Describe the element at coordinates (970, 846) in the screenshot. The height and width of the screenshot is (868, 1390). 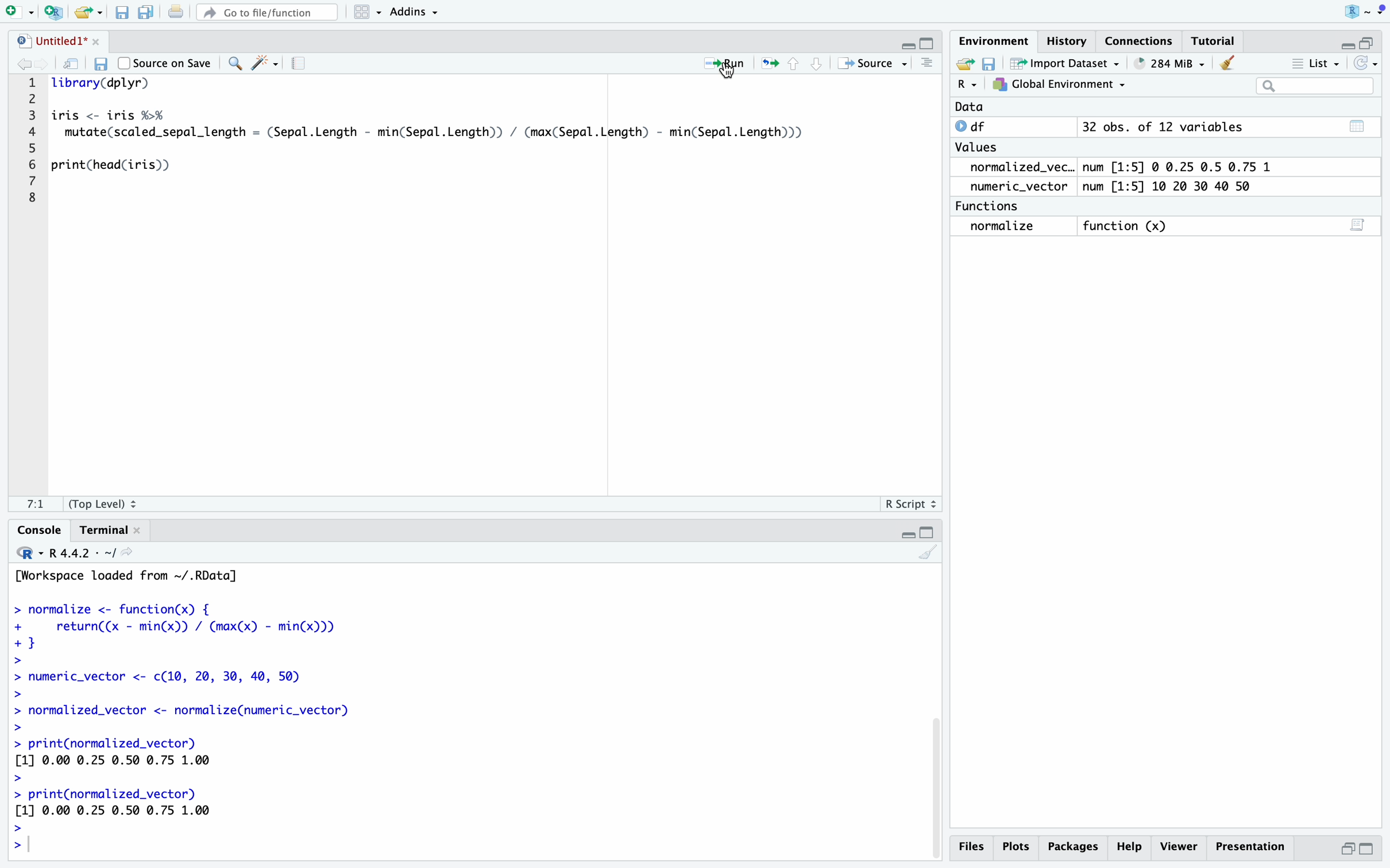
I see `Files` at that location.